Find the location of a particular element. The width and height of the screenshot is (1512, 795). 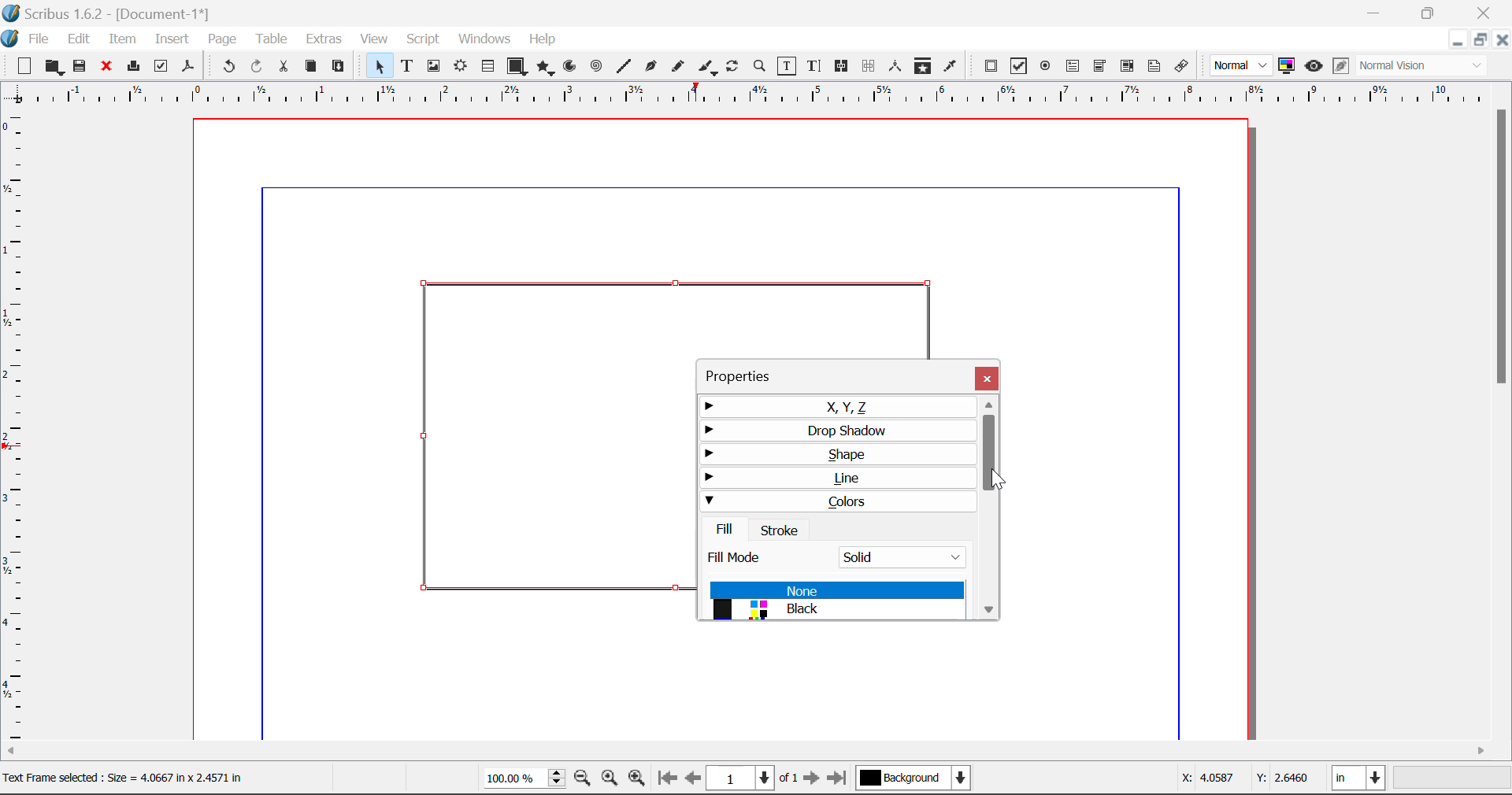

Display Visual Appearance is located at coordinates (1428, 66).